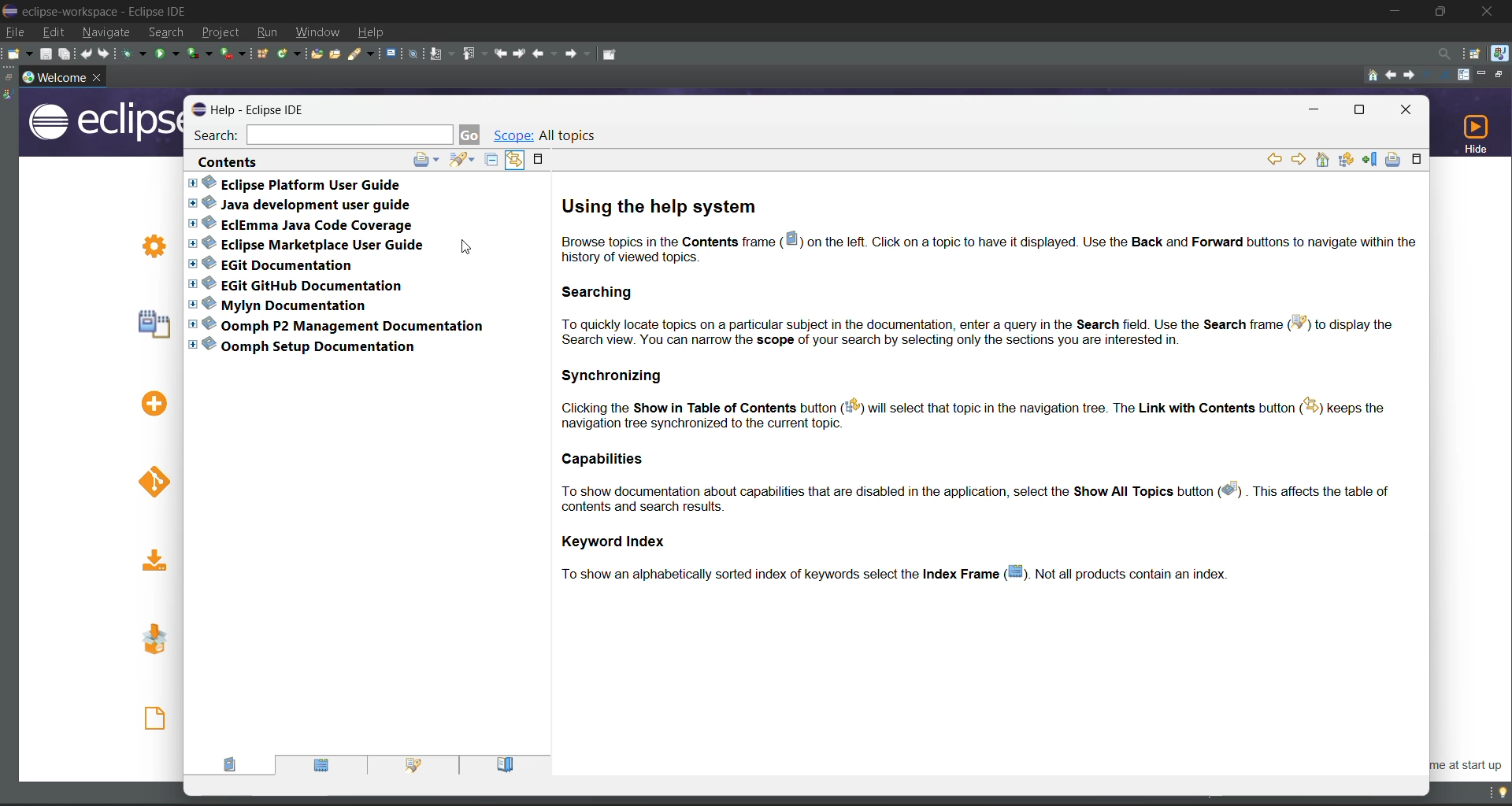  Describe the element at coordinates (332, 54) in the screenshot. I see `open task` at that location.